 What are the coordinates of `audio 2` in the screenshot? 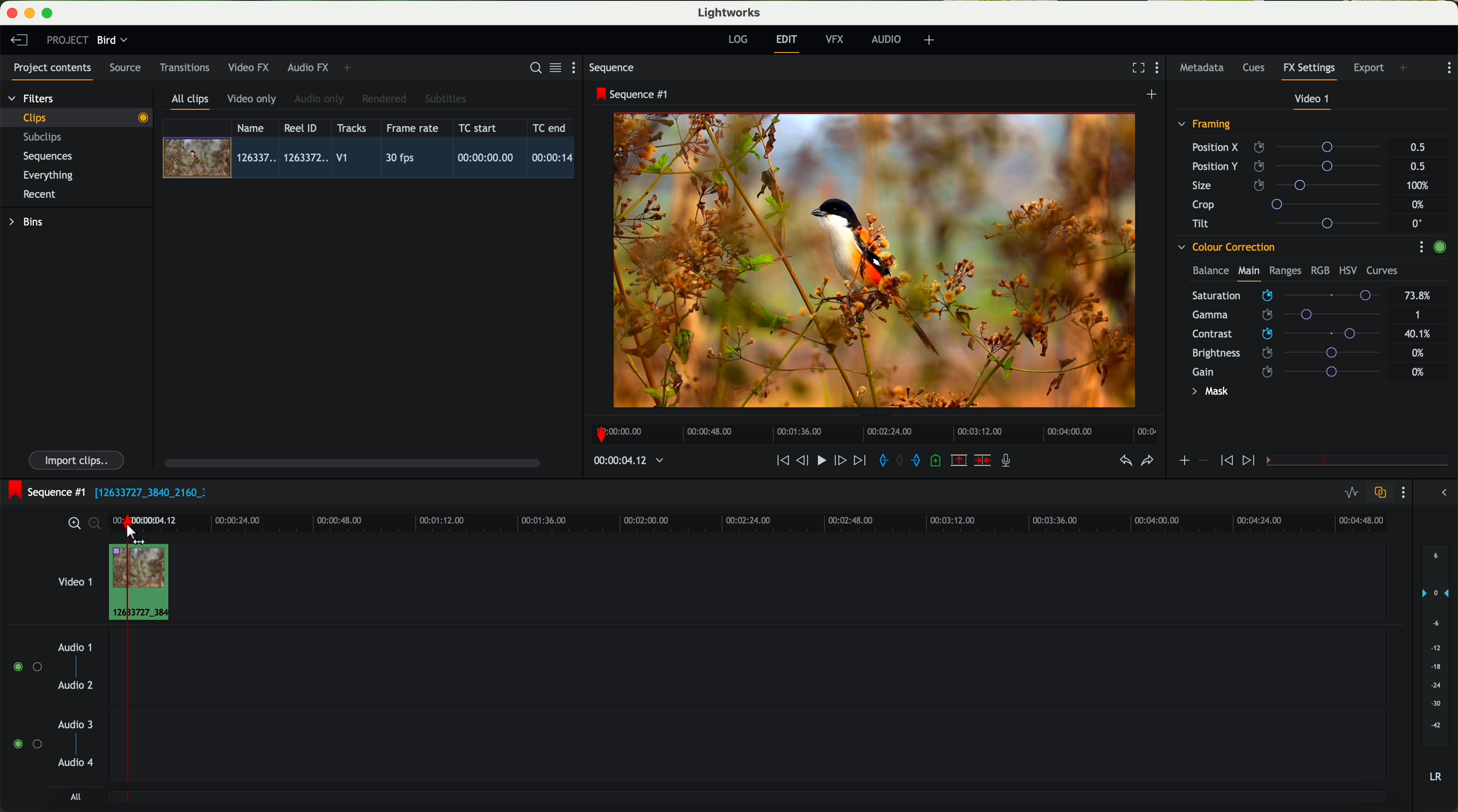 It's located at (76, 686).